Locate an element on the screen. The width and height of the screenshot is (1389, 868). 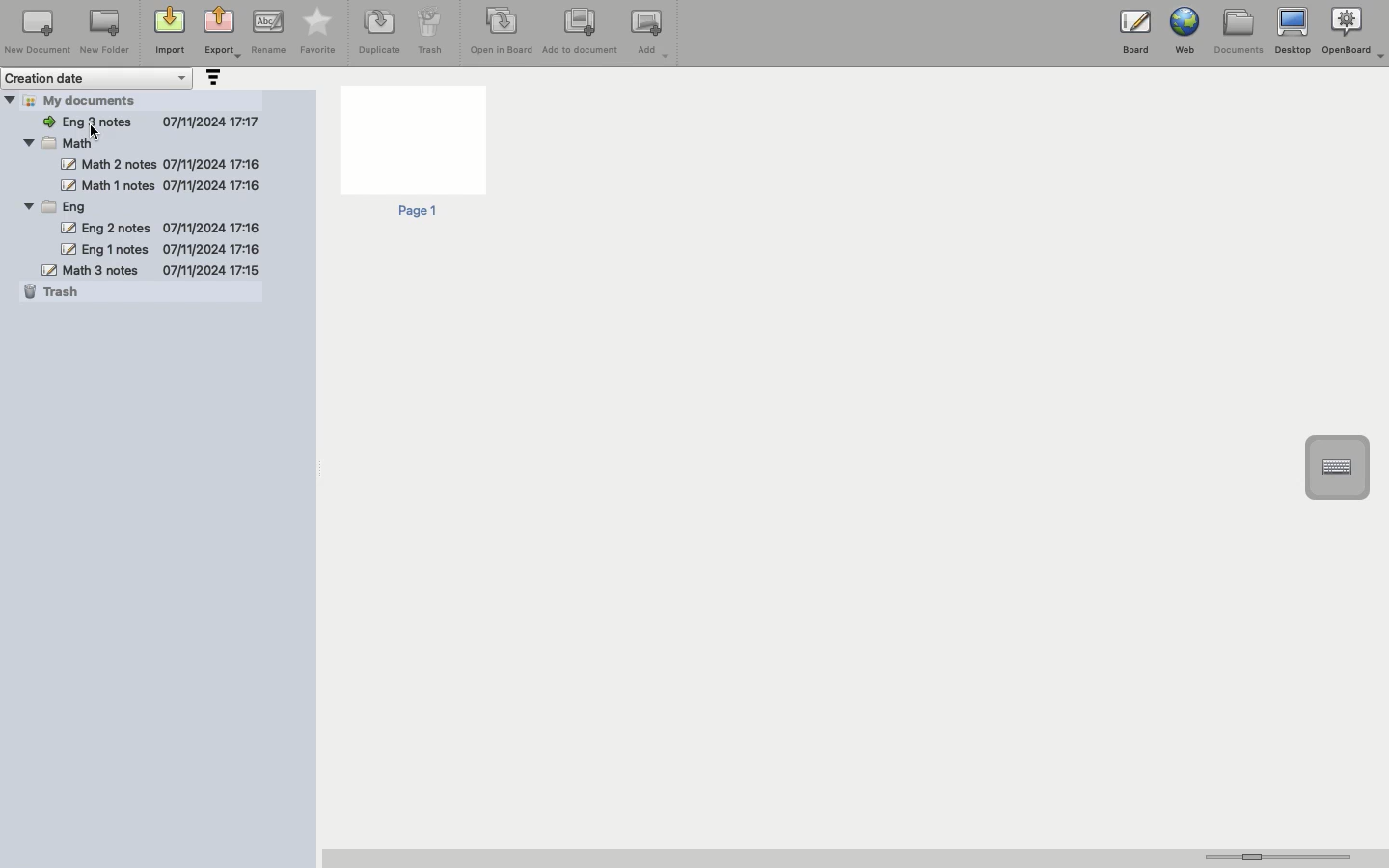
Math 3 notes is located at coordinates (150, 269).